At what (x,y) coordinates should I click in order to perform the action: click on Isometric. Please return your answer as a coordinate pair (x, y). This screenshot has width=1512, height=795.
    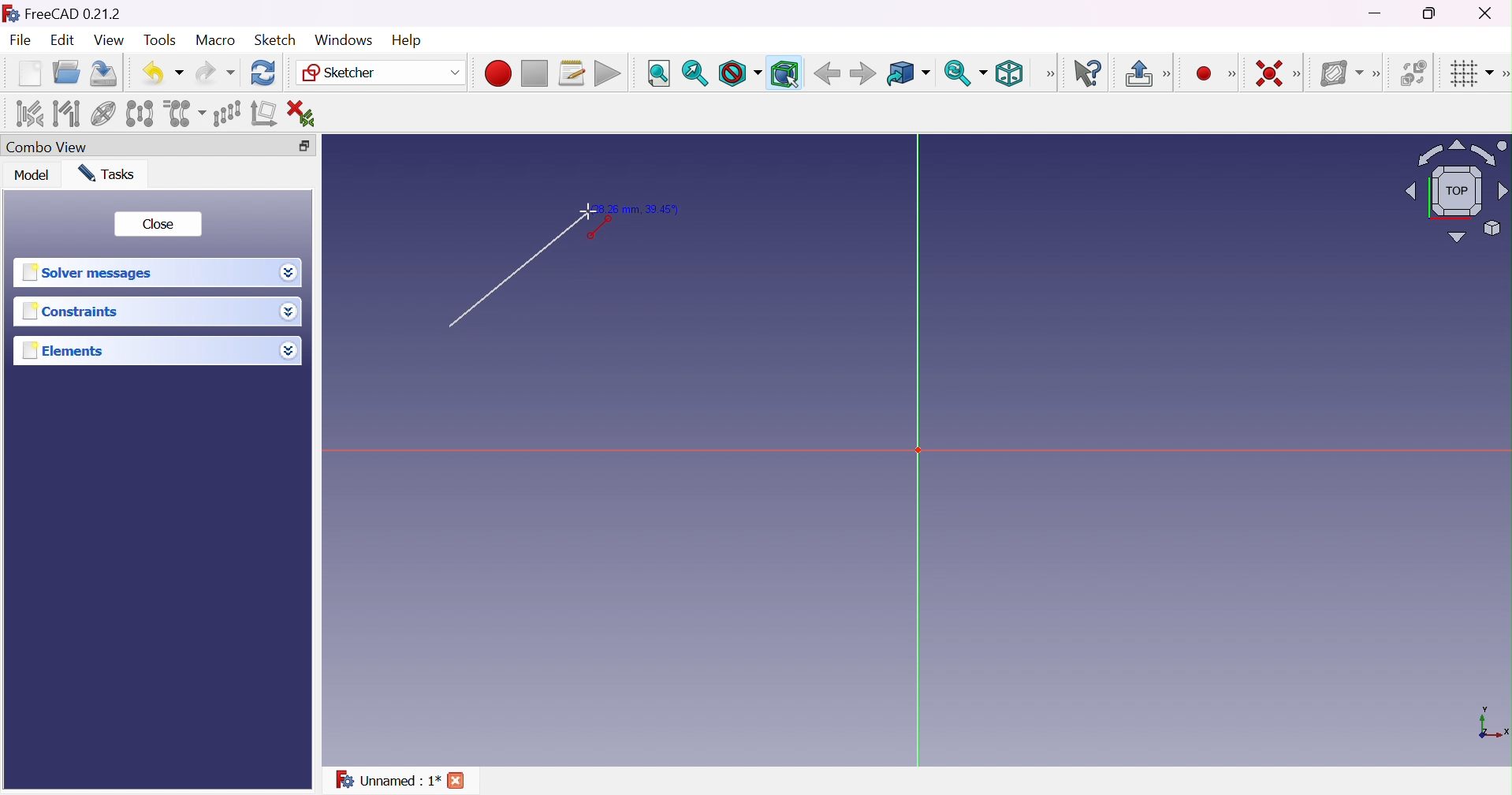
    Looking at the image, I should click on (1013, 73).